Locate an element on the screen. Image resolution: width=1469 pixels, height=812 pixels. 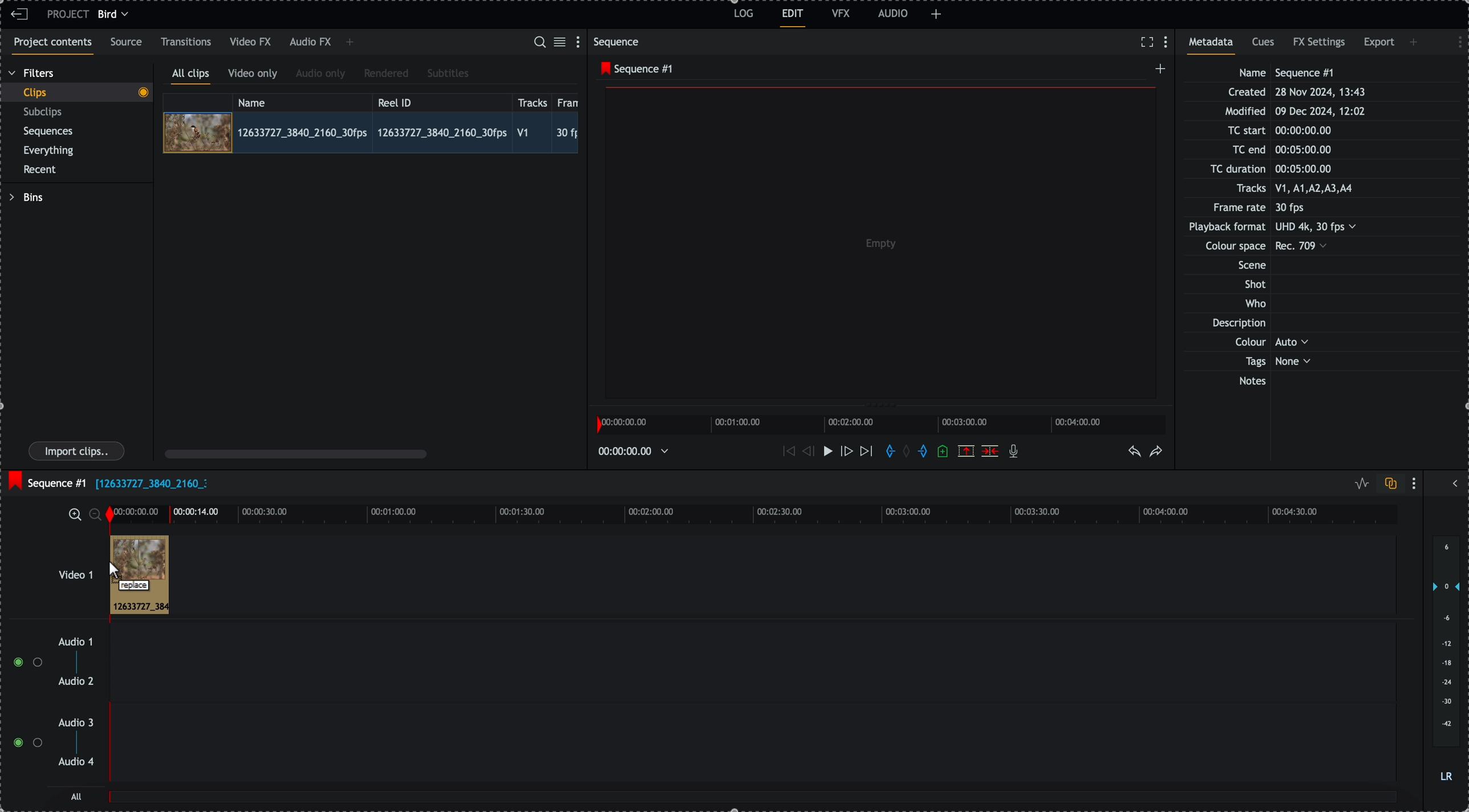
create a new sequence is located at coordinates (1158, 72).